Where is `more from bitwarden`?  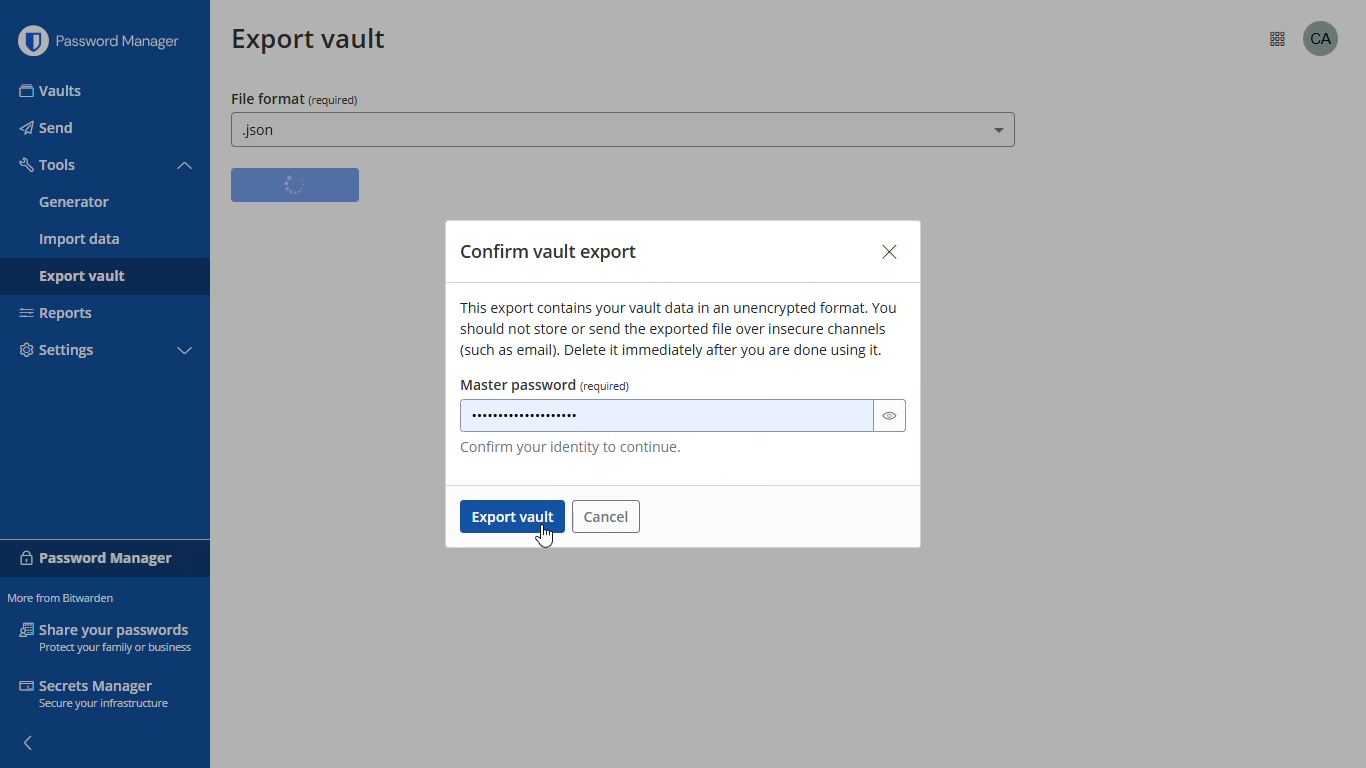 more from bitwarden is located at coordinates (63, 597).